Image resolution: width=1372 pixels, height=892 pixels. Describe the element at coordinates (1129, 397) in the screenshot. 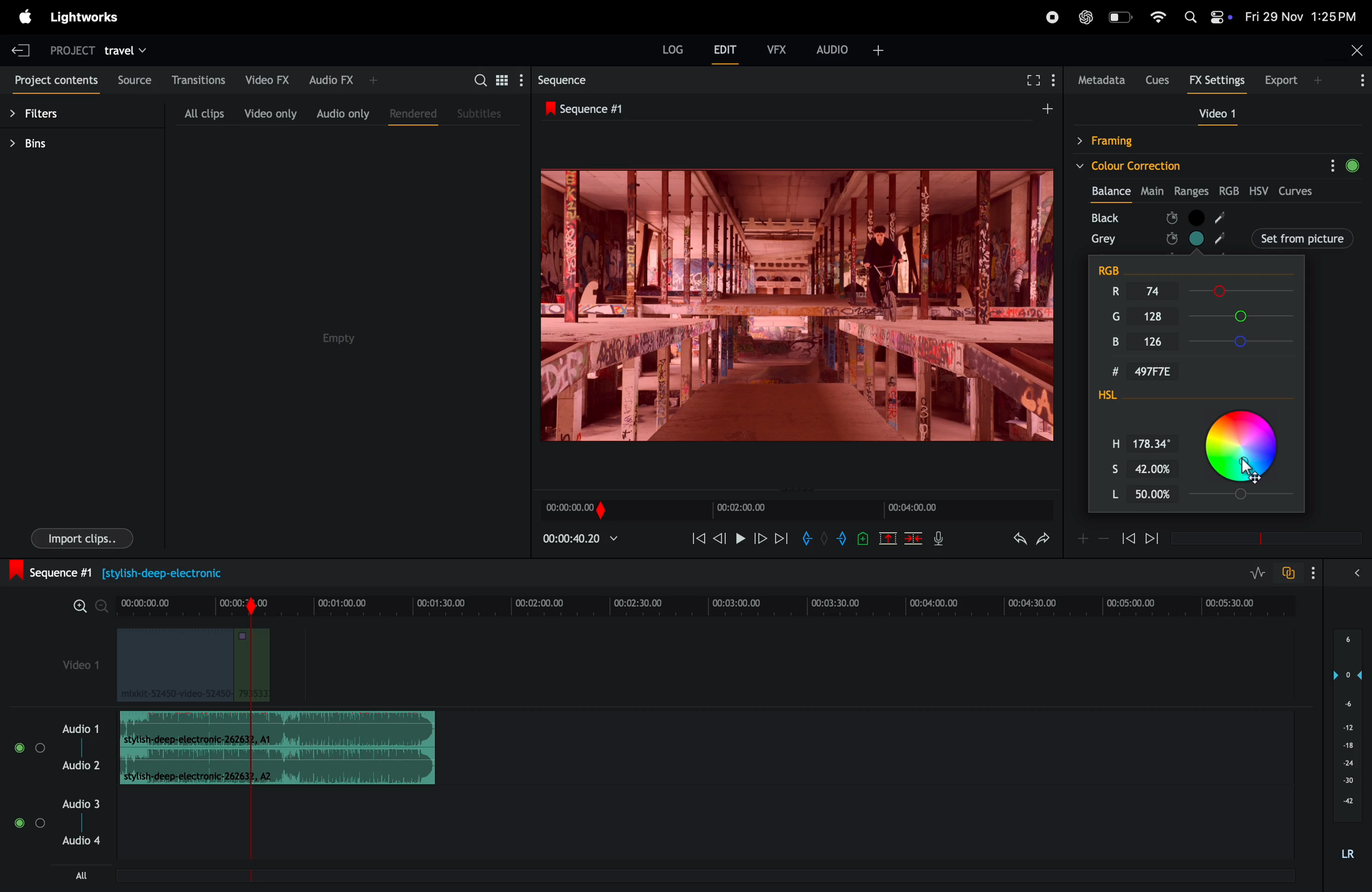

I see `HSL` at that location.